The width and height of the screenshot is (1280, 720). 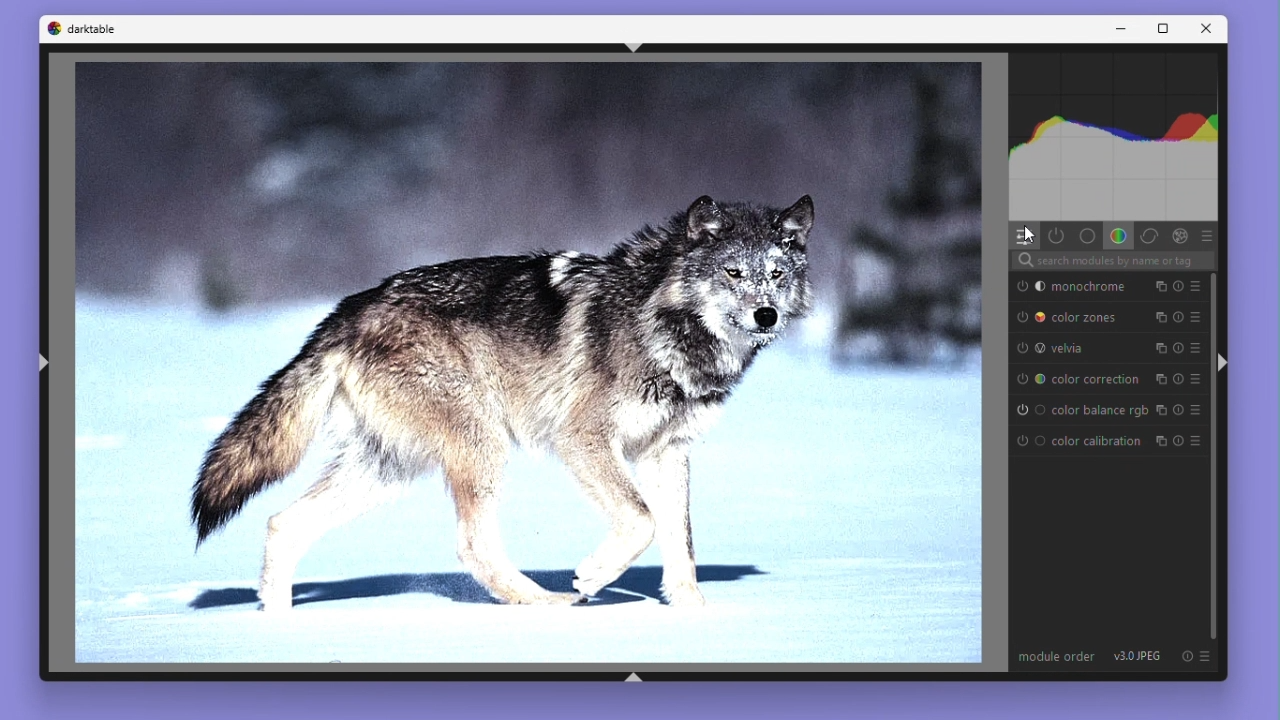 What do you see at coordinates (1217, 457) in the screenshot?
I see `vertical scroll bar` at bounding box center [1217, 457].